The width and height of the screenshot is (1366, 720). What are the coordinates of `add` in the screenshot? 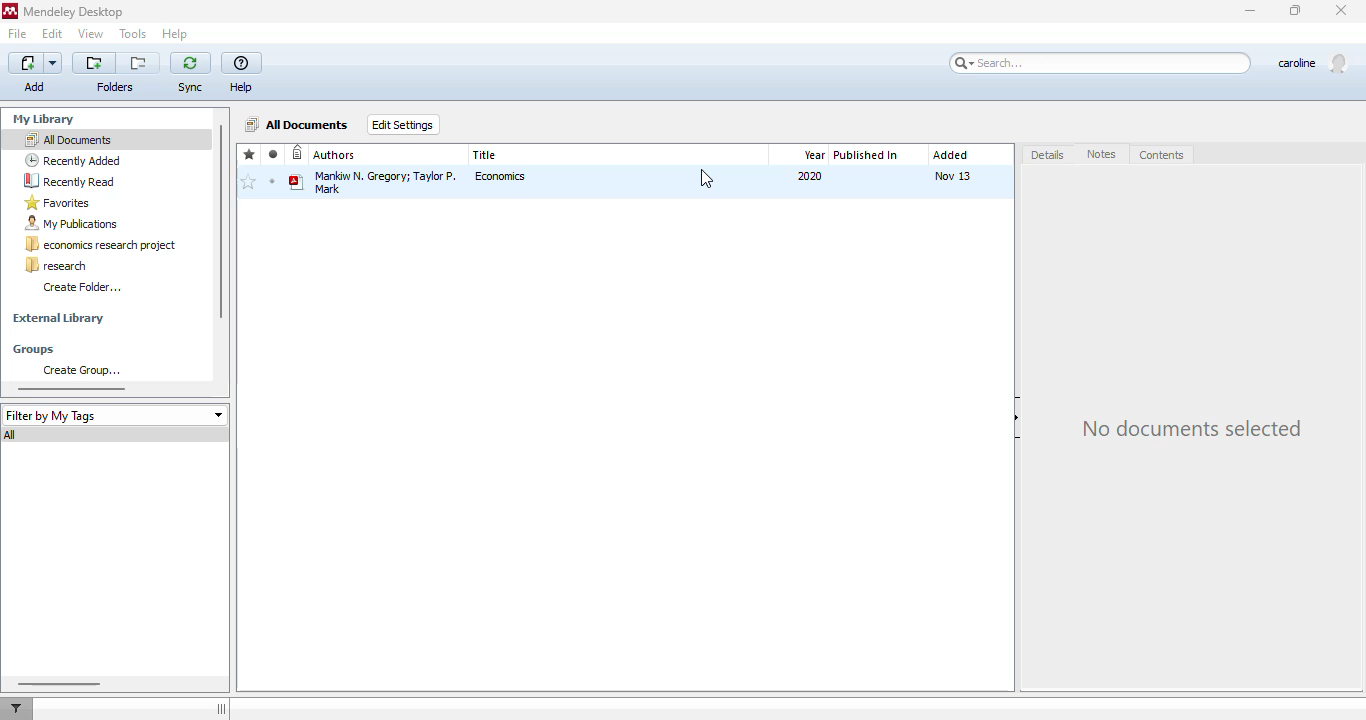 It's located at (36, 63).